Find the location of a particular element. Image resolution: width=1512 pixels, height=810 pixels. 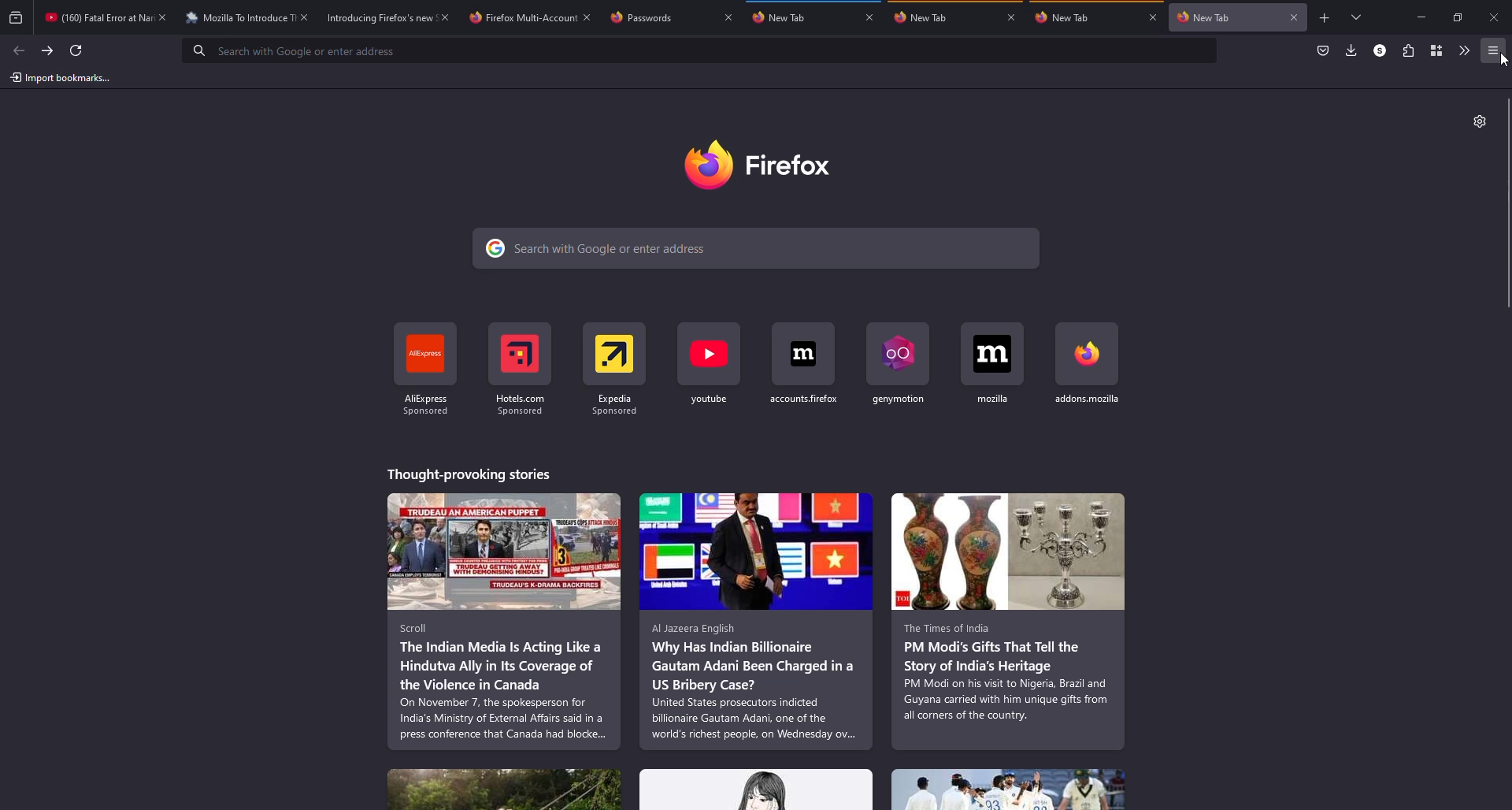

settings is located at coordinates (1480, 121).